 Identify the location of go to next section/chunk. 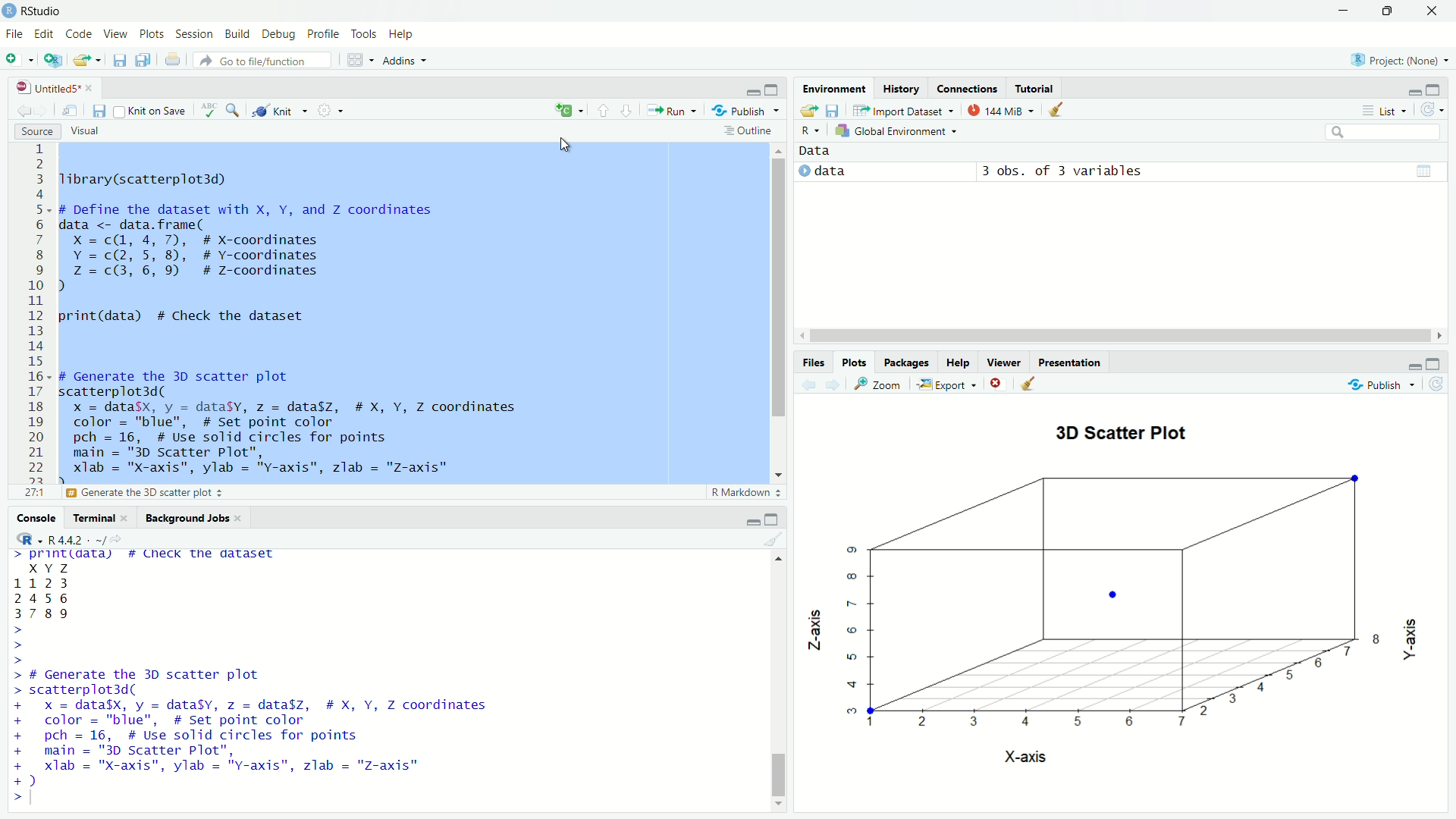
(629, 114).